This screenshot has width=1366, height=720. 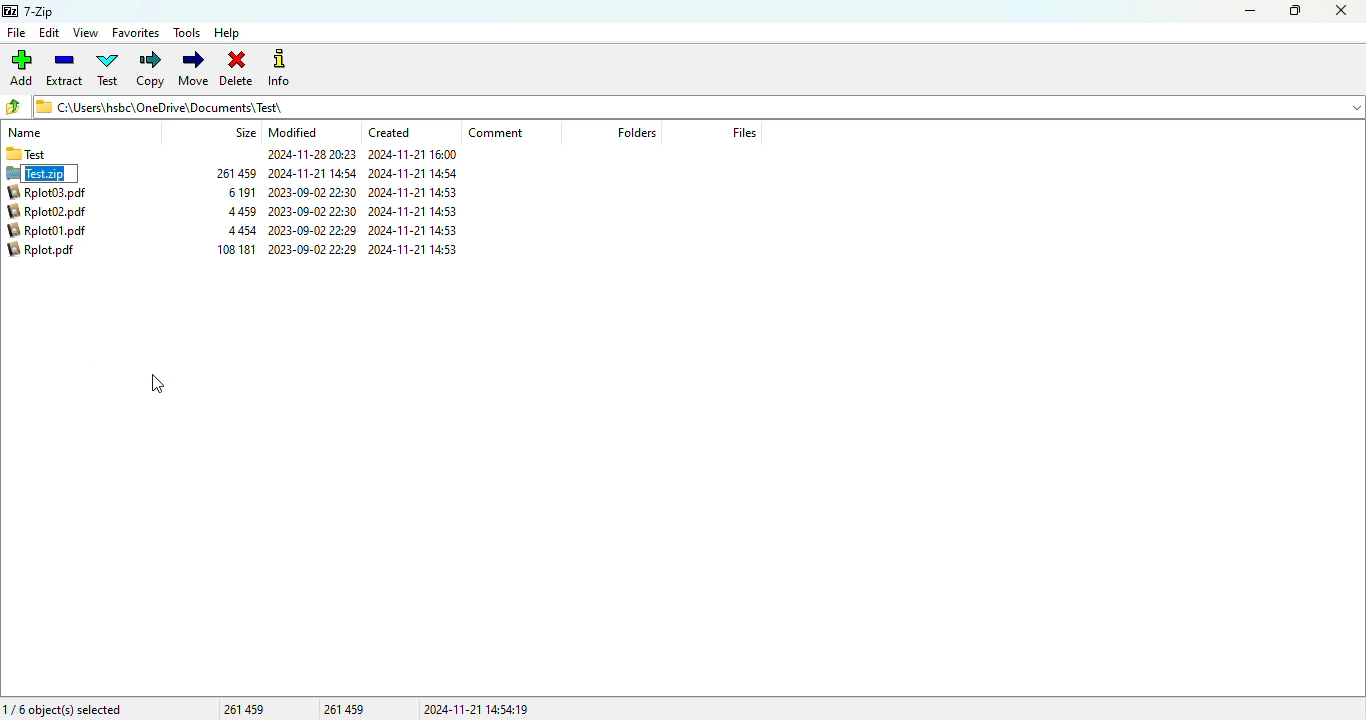 What do you see at coordinates (415, 155) in the screenshot?
I see `2024-11-21 16:00` at bounding box center [415, 155].